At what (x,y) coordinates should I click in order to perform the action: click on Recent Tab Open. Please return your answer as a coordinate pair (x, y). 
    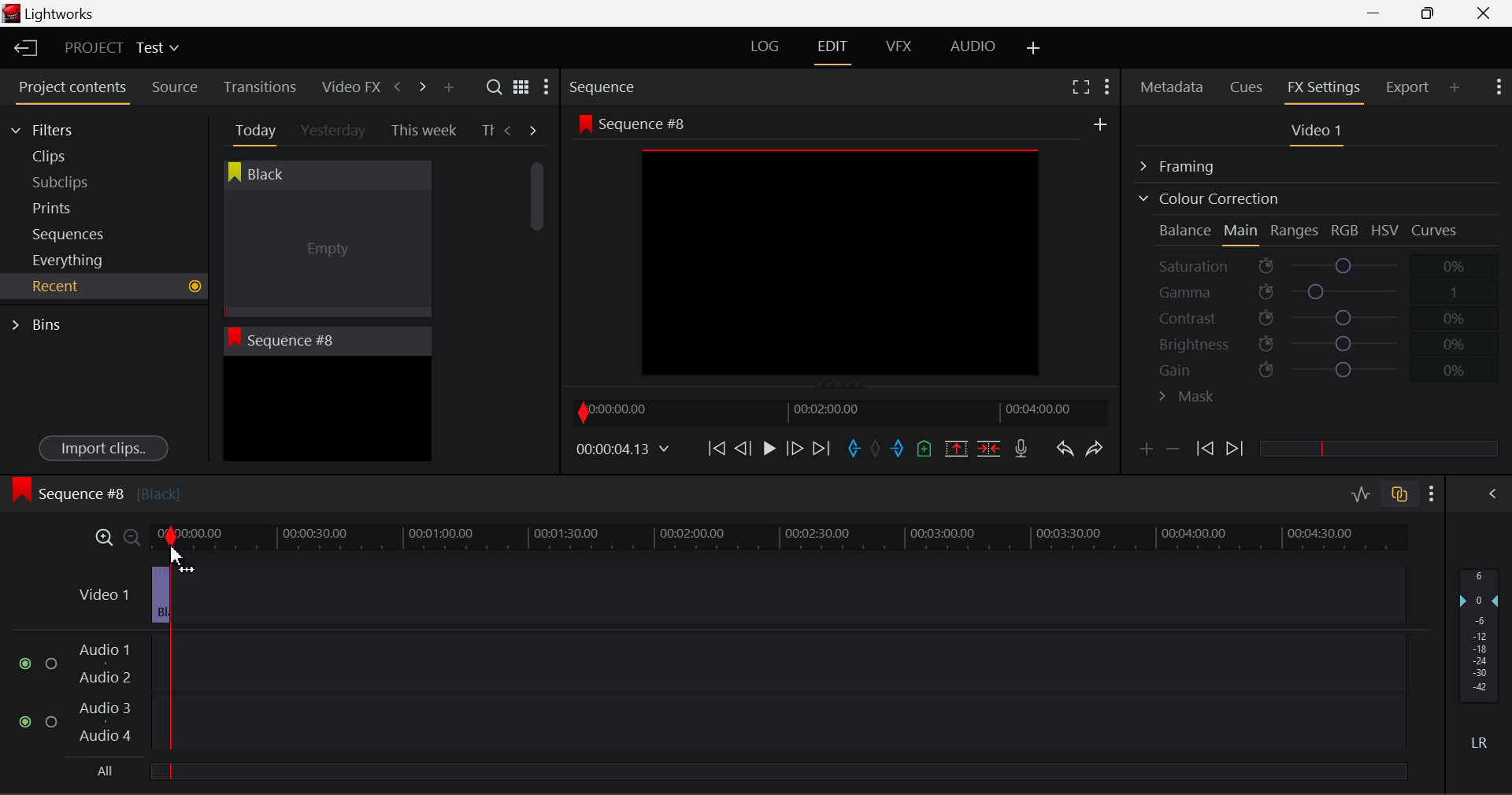
    Looking at the image, I should click on (104, 287).